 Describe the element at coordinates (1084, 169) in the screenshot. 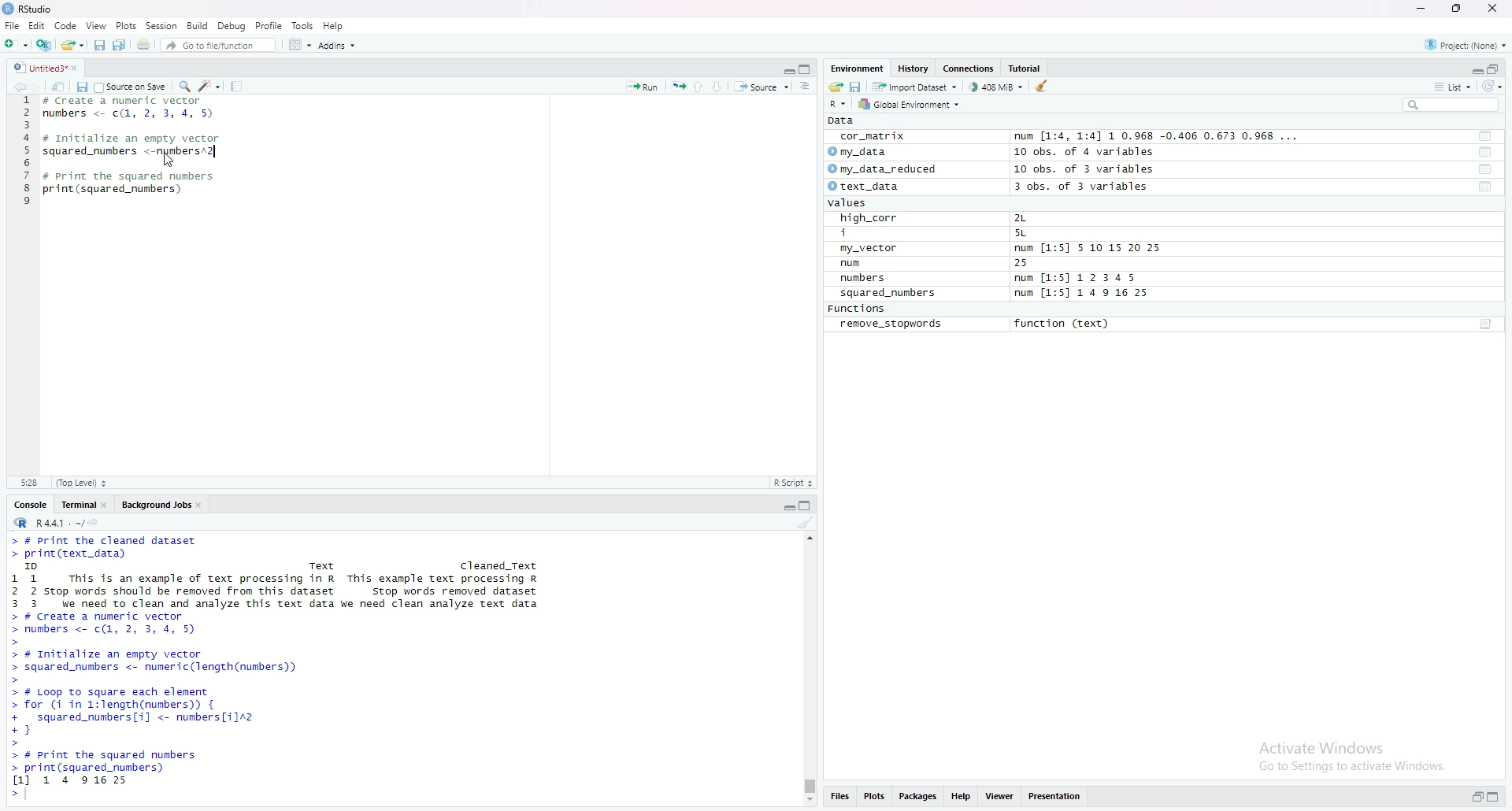

I see `10 obs. of 3 variables` at that location.